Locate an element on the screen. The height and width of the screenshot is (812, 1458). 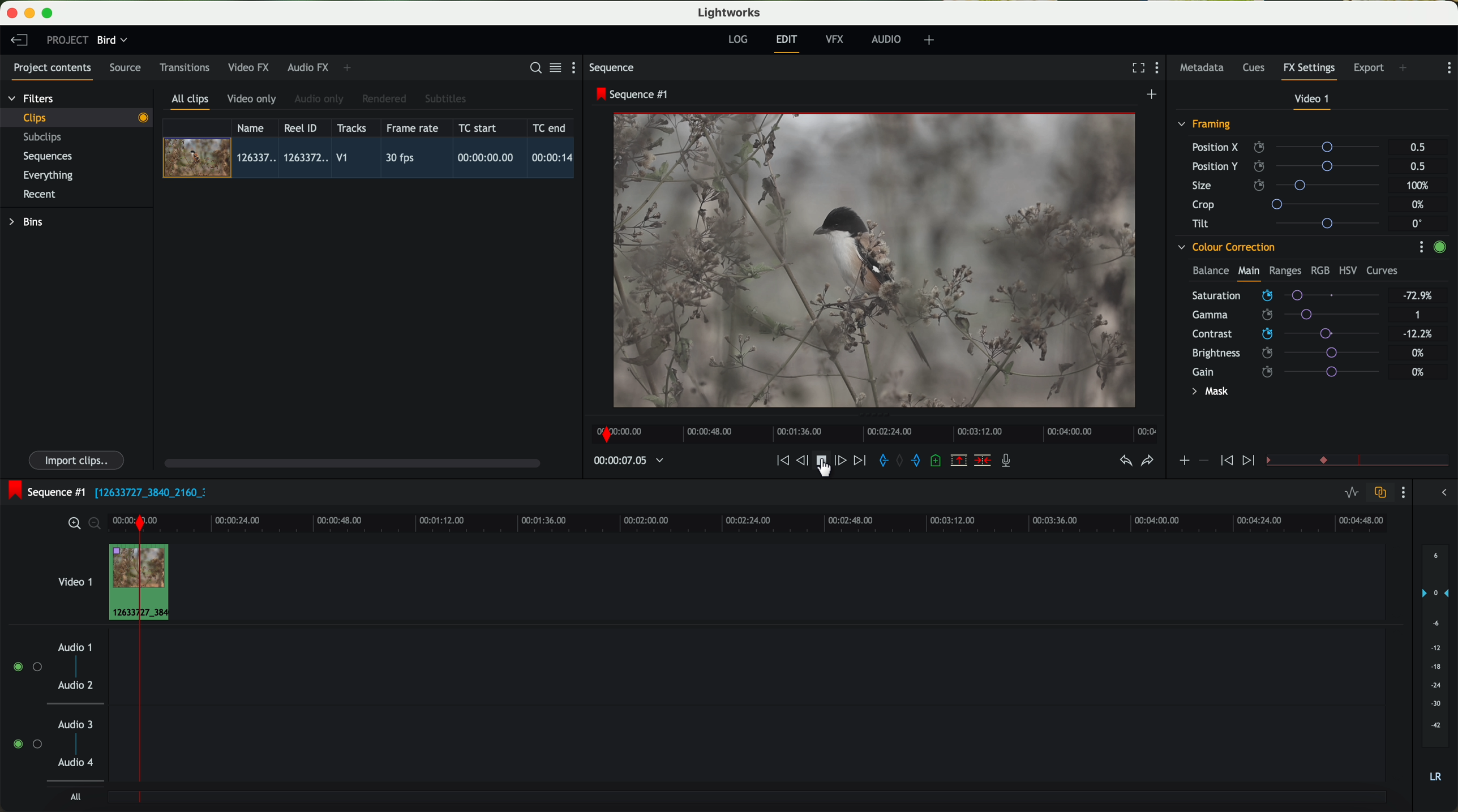
add panel is located at coordinates (1406, 69).